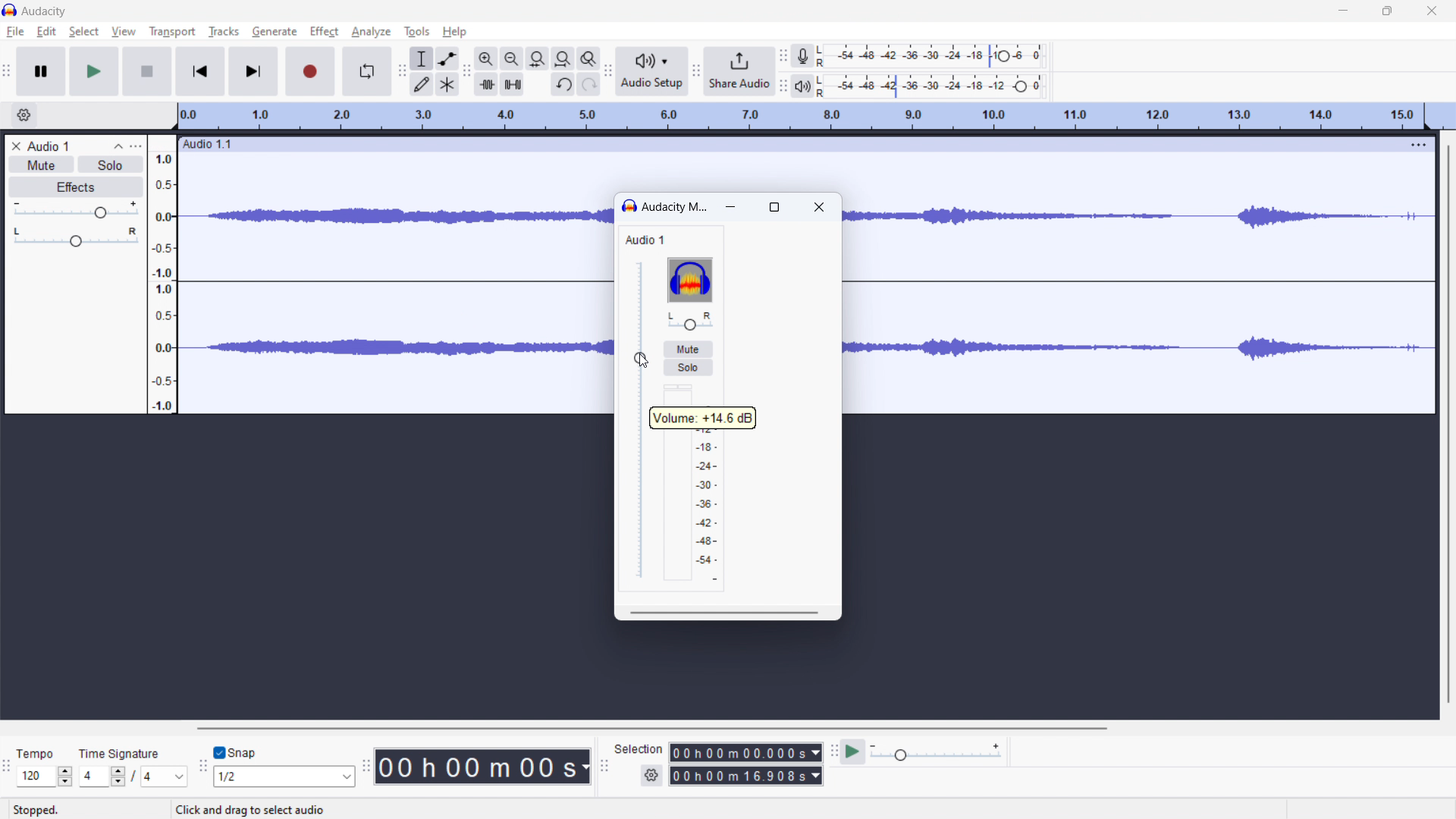 Image resolution: width=1456 pixels, height=819 pixels. I want to click on play at speed, so click(853, 752).